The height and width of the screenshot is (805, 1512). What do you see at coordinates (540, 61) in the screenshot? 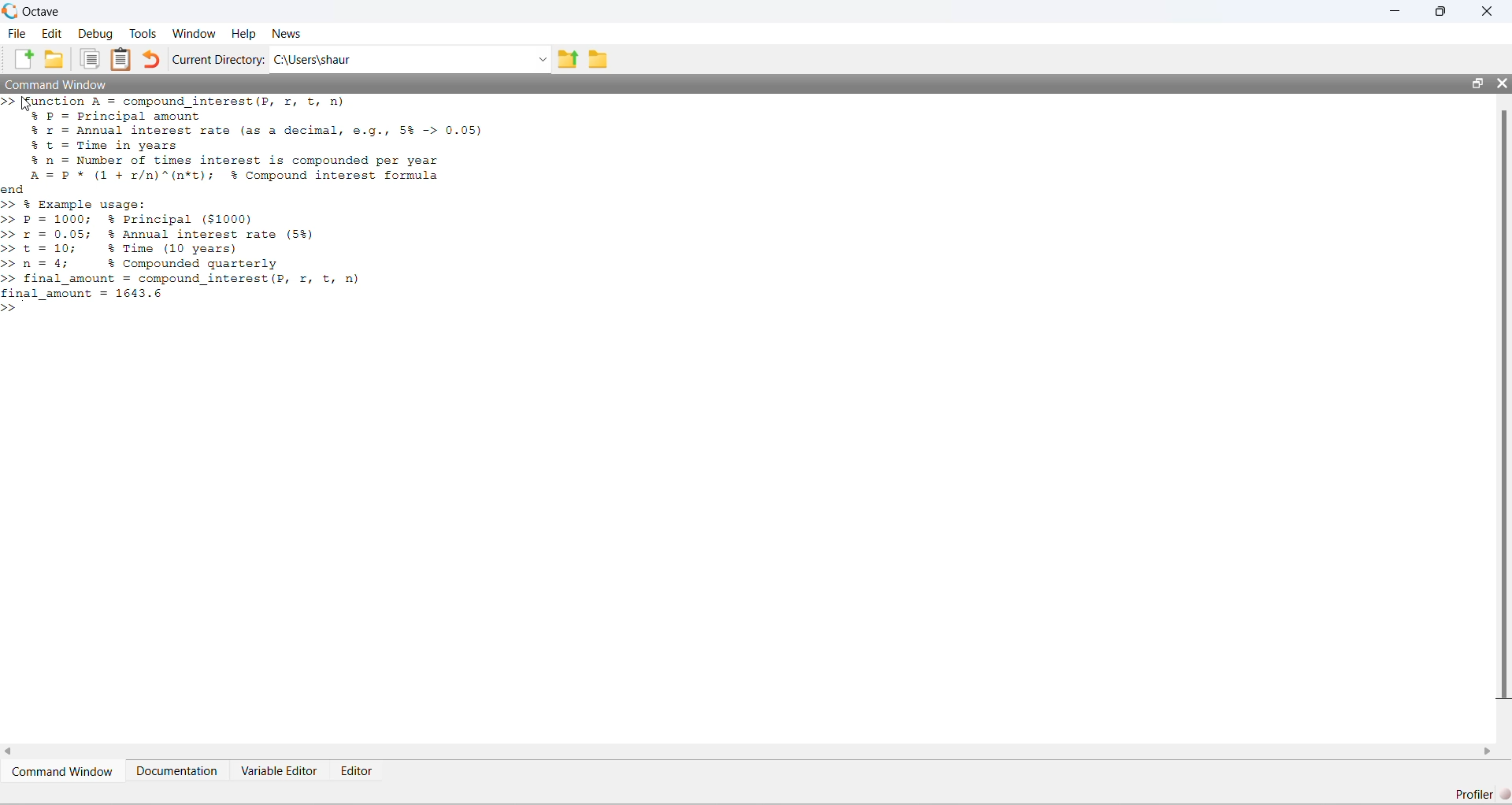
I see `Dropdown` at bounding box center [540, 61].